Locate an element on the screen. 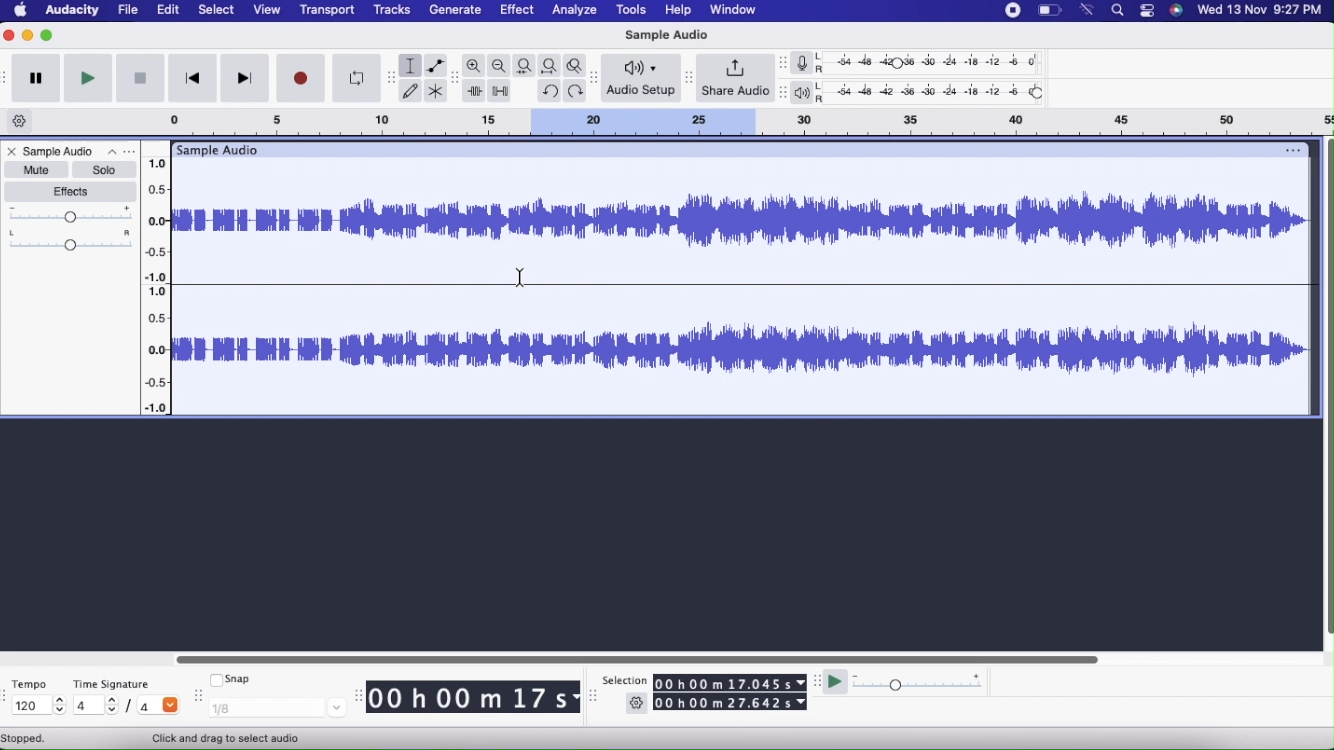 The image size is (1334, 750). Fit project to width is located at coordinates (552, 65).